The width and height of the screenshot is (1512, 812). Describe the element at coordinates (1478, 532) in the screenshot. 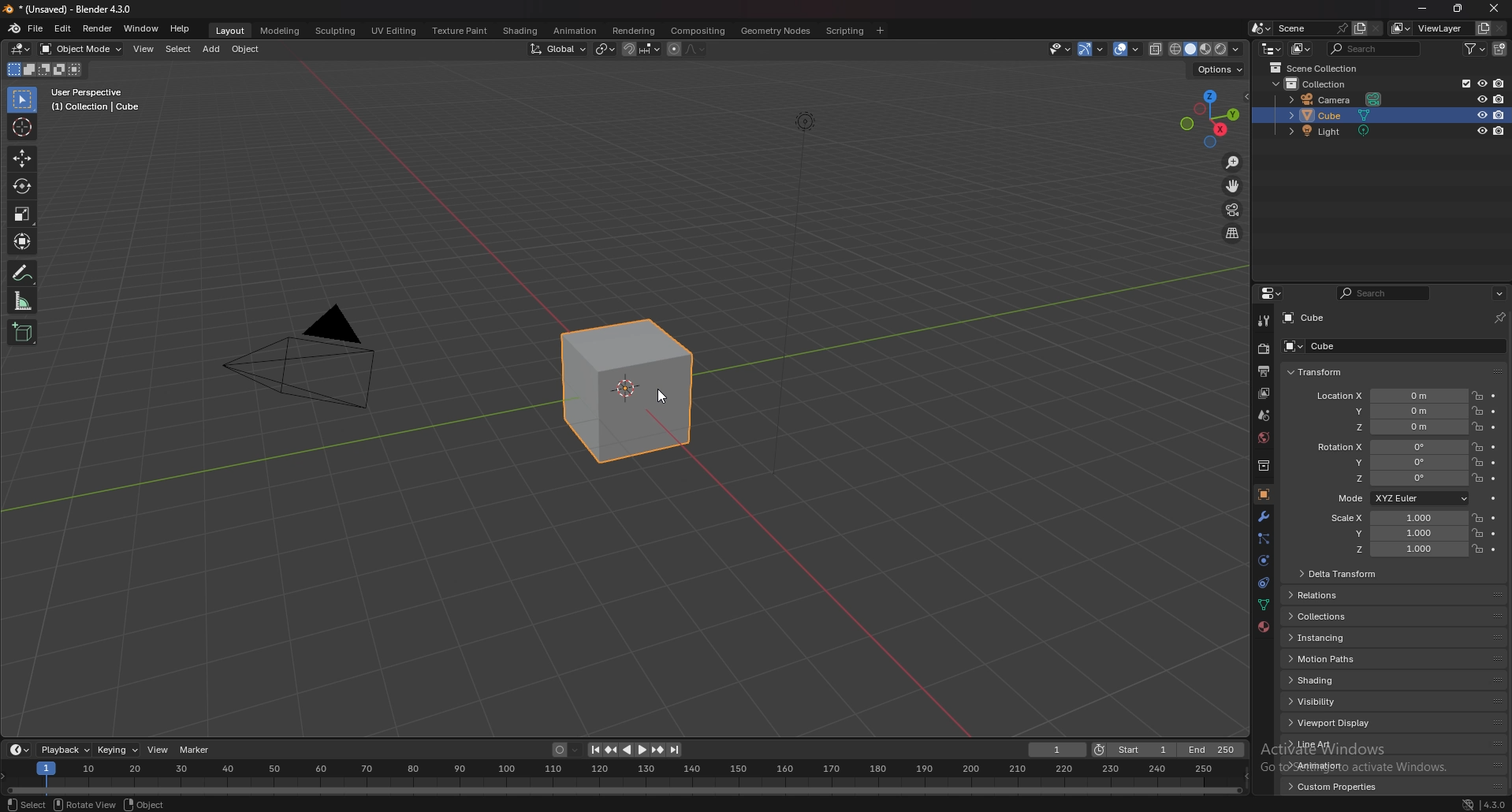

I see `lock location` at that location.